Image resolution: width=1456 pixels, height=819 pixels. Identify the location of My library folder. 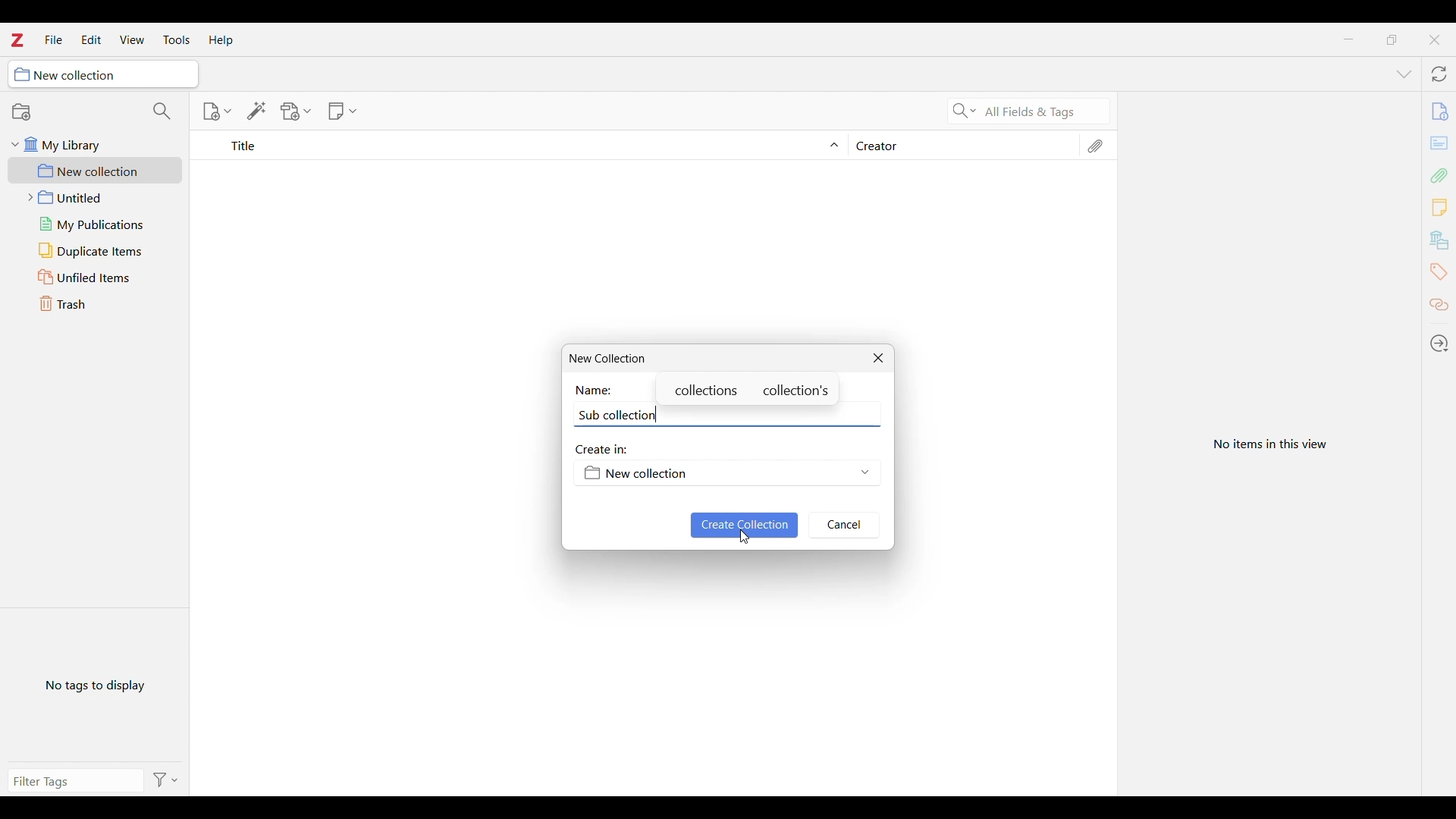
(96, 145).